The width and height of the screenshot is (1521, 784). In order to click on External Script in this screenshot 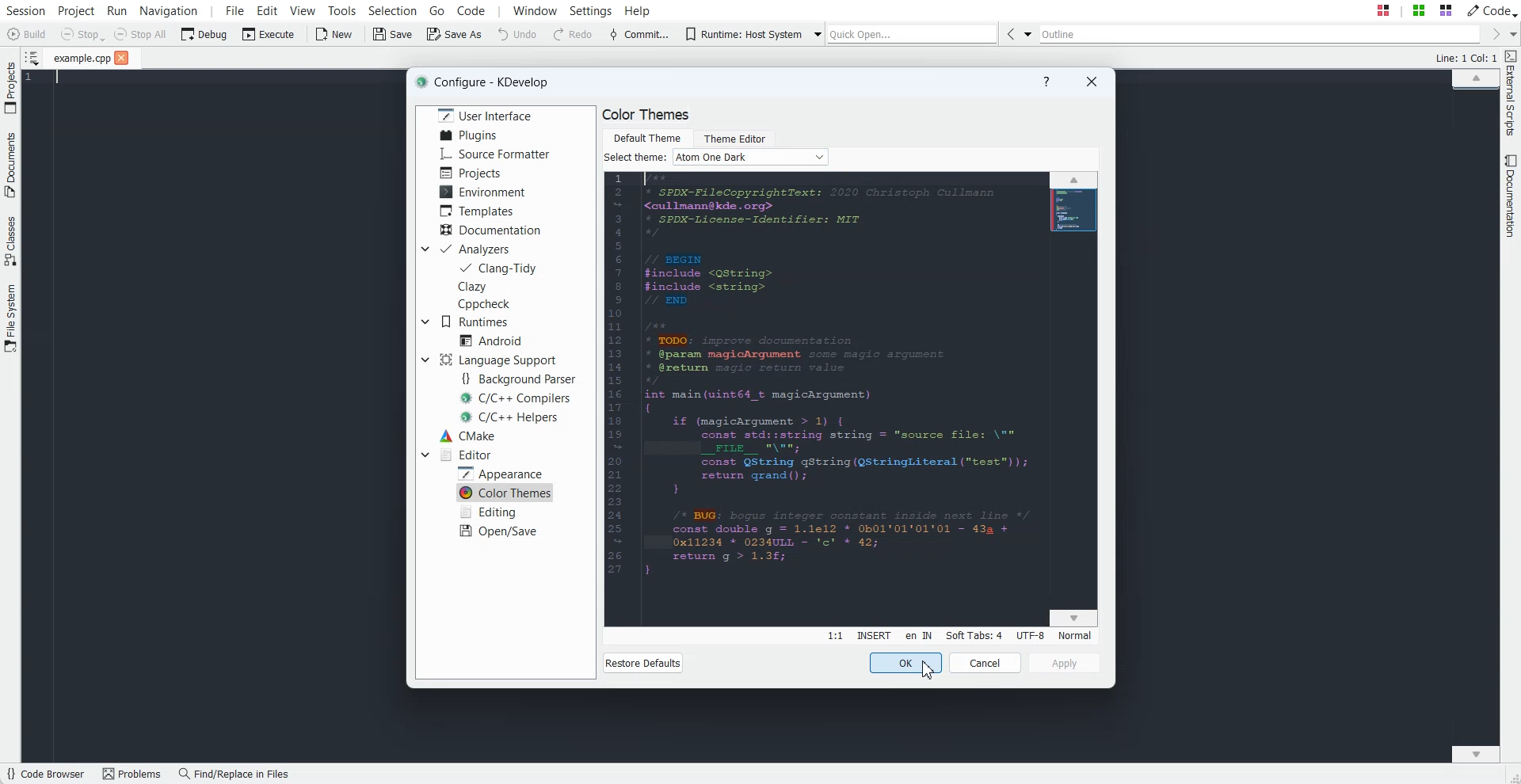, I will do `click(1511, 94)`.